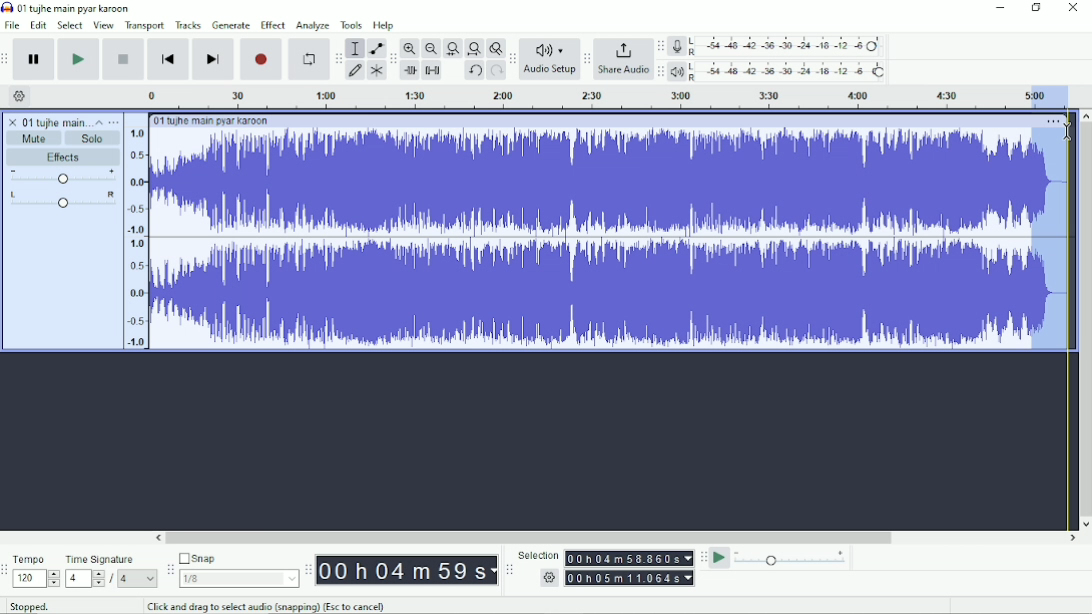 The width and height of the screenshot is (1092, 614). What do you see at coordinates (512, 59) in the screenshot?
I see `Audacity audio setup toolbar` at bounding box center [512, 59].